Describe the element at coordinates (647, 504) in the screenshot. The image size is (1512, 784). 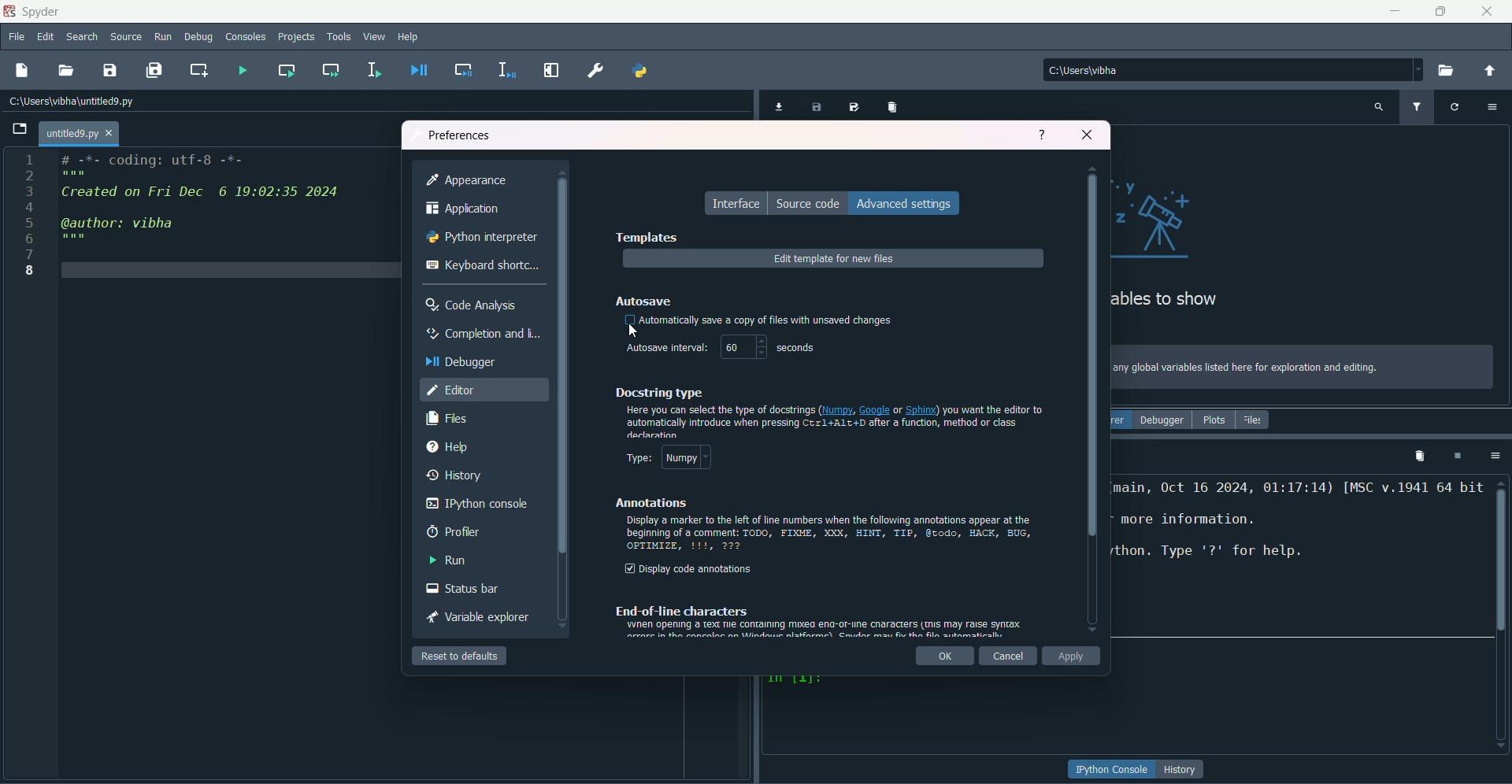
I see `annotations` at that location.